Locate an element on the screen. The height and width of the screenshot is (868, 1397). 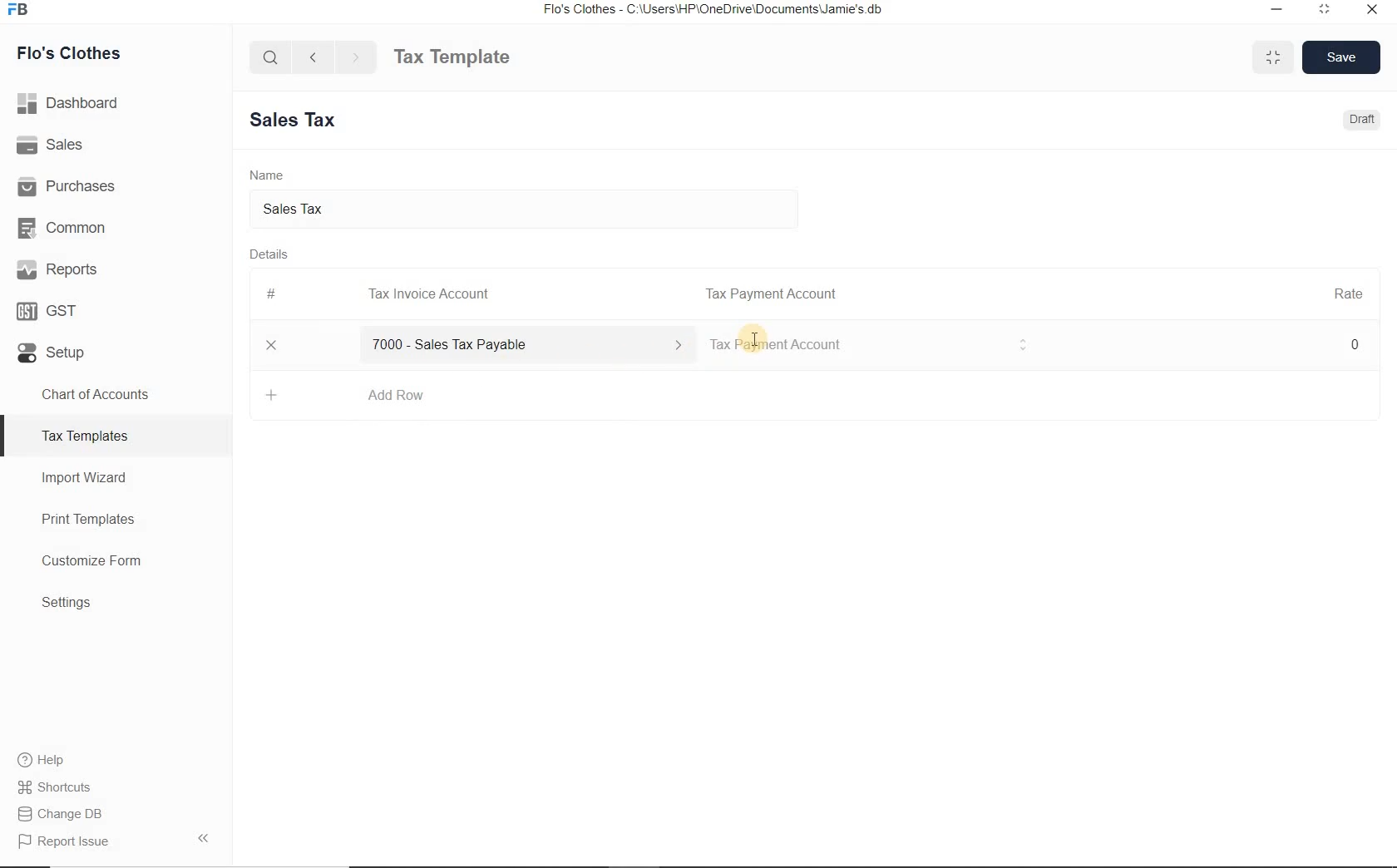
Minimize is located at coordinates (1277, 11).